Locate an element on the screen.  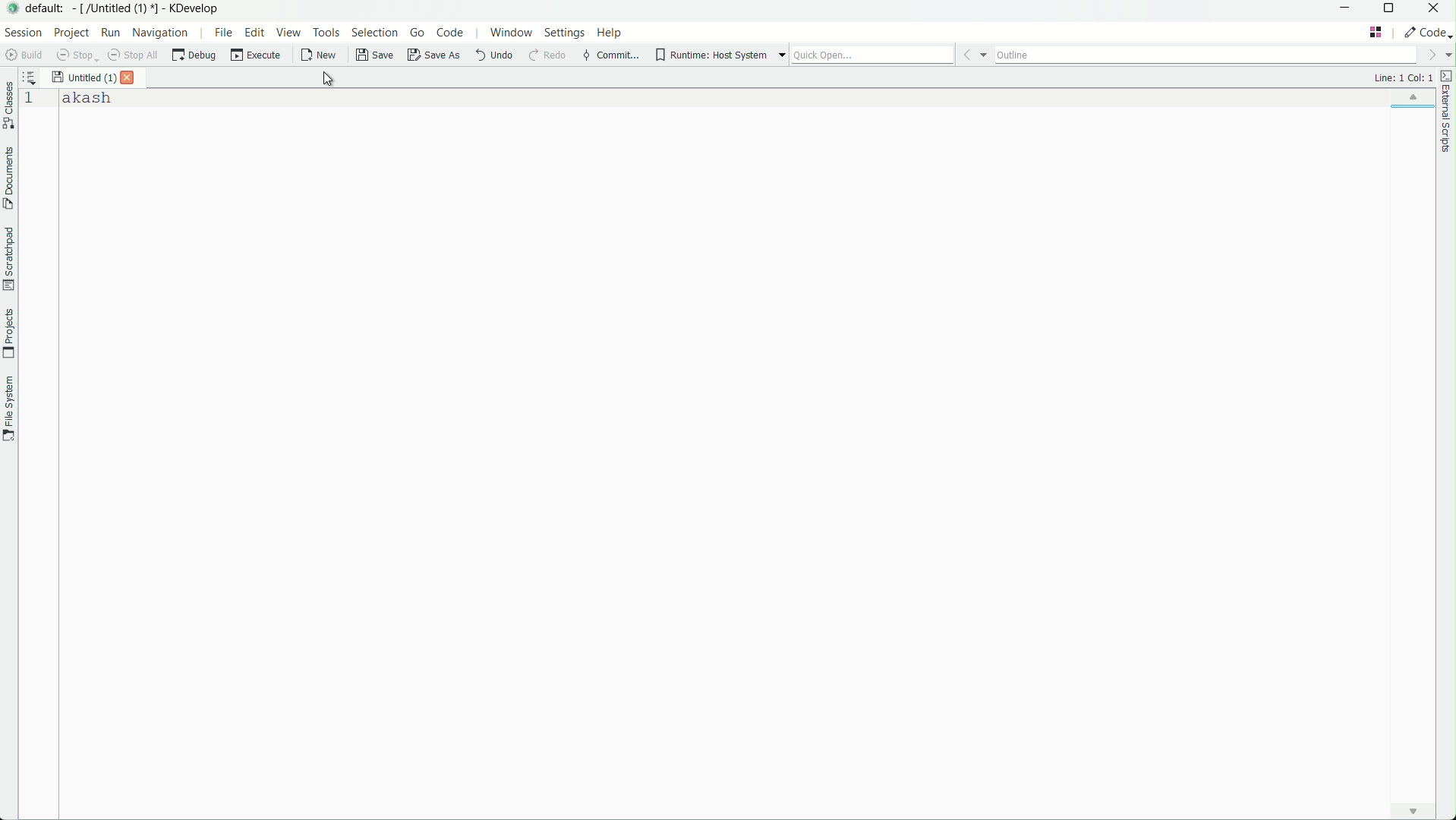
execute actions to change the area is located at coordinates (1426, 33).